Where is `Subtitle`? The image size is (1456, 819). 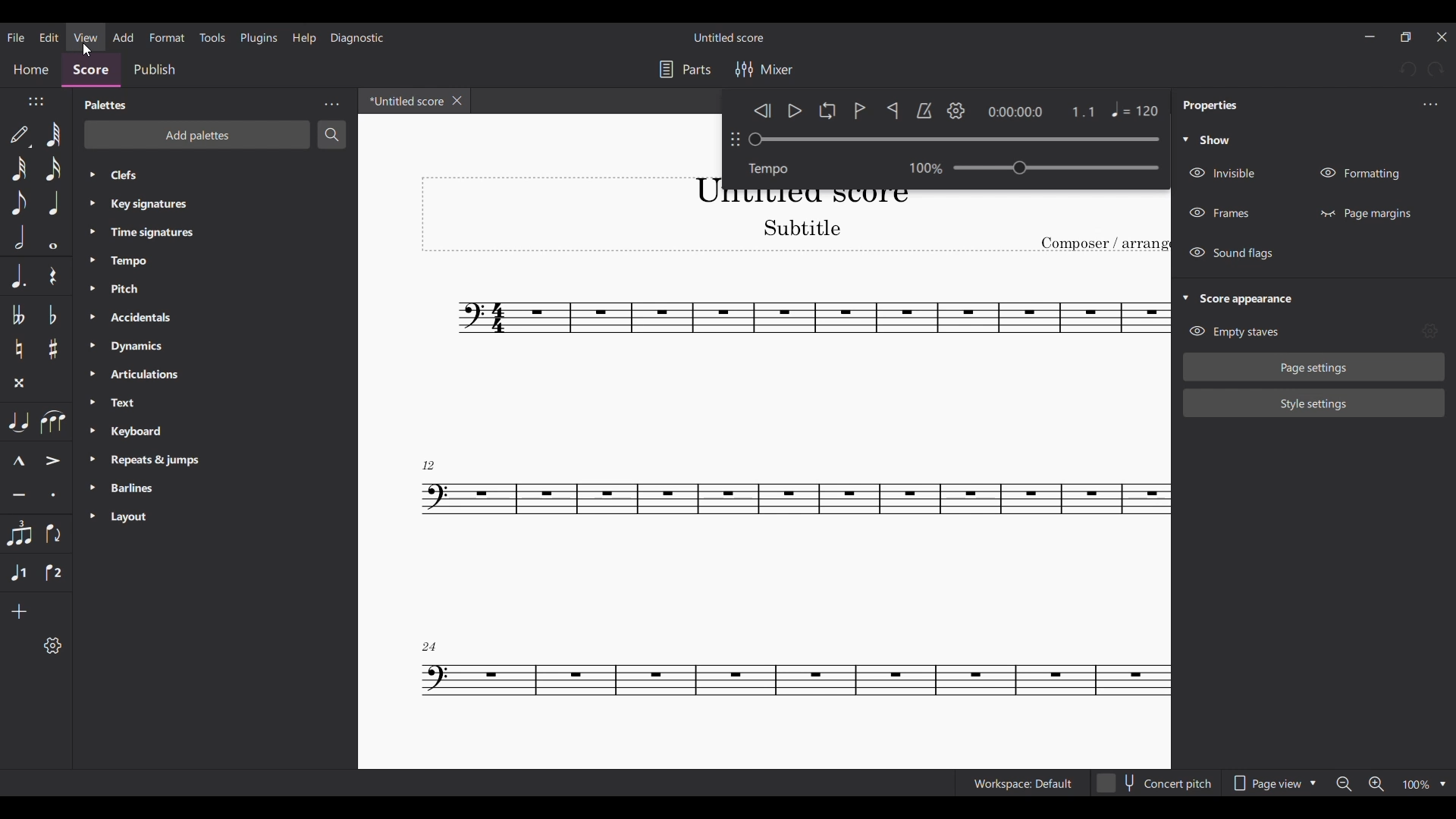 Subtitle is located at coordinates (799, 227).